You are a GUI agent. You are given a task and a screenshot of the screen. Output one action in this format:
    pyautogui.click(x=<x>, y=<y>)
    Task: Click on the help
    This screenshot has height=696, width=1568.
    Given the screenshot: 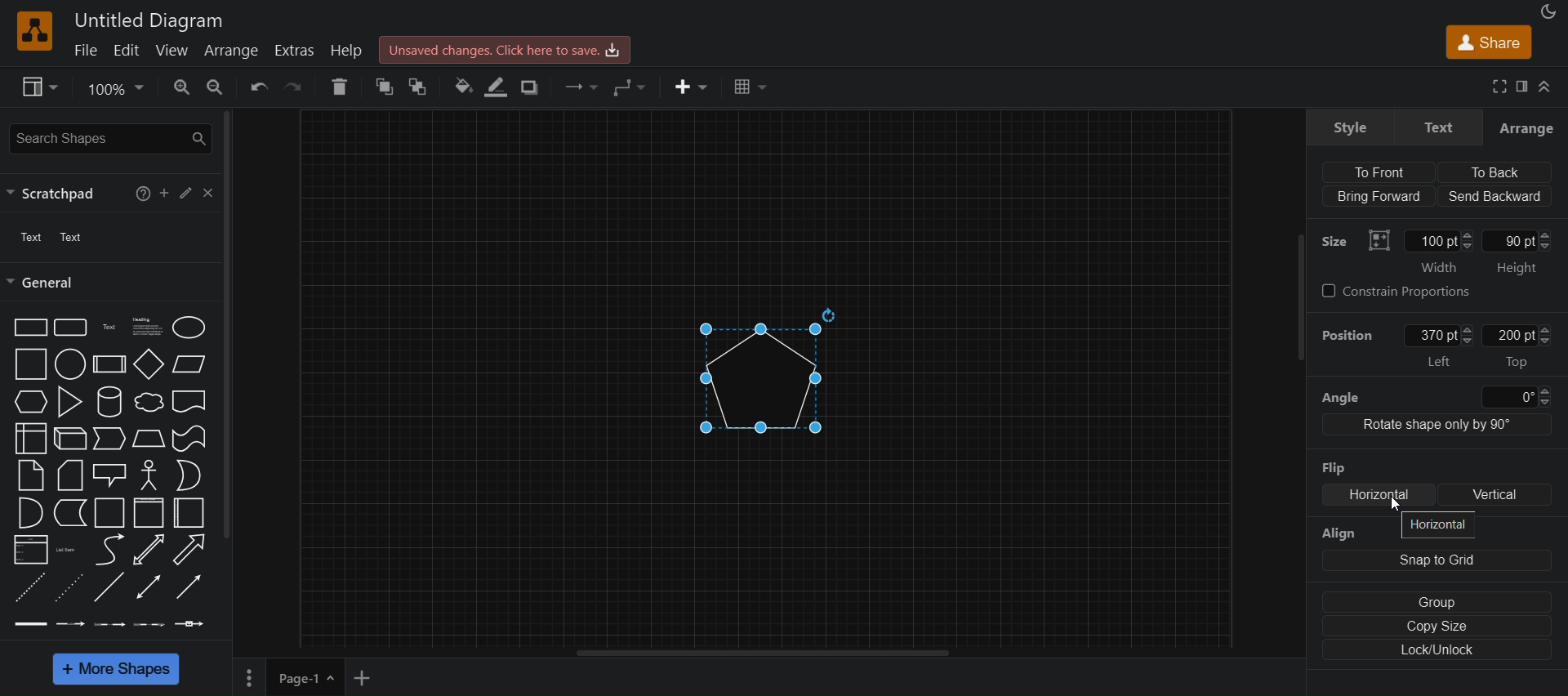 What is the action you would take?
    pyautogui.click(x=346, y=51)
    